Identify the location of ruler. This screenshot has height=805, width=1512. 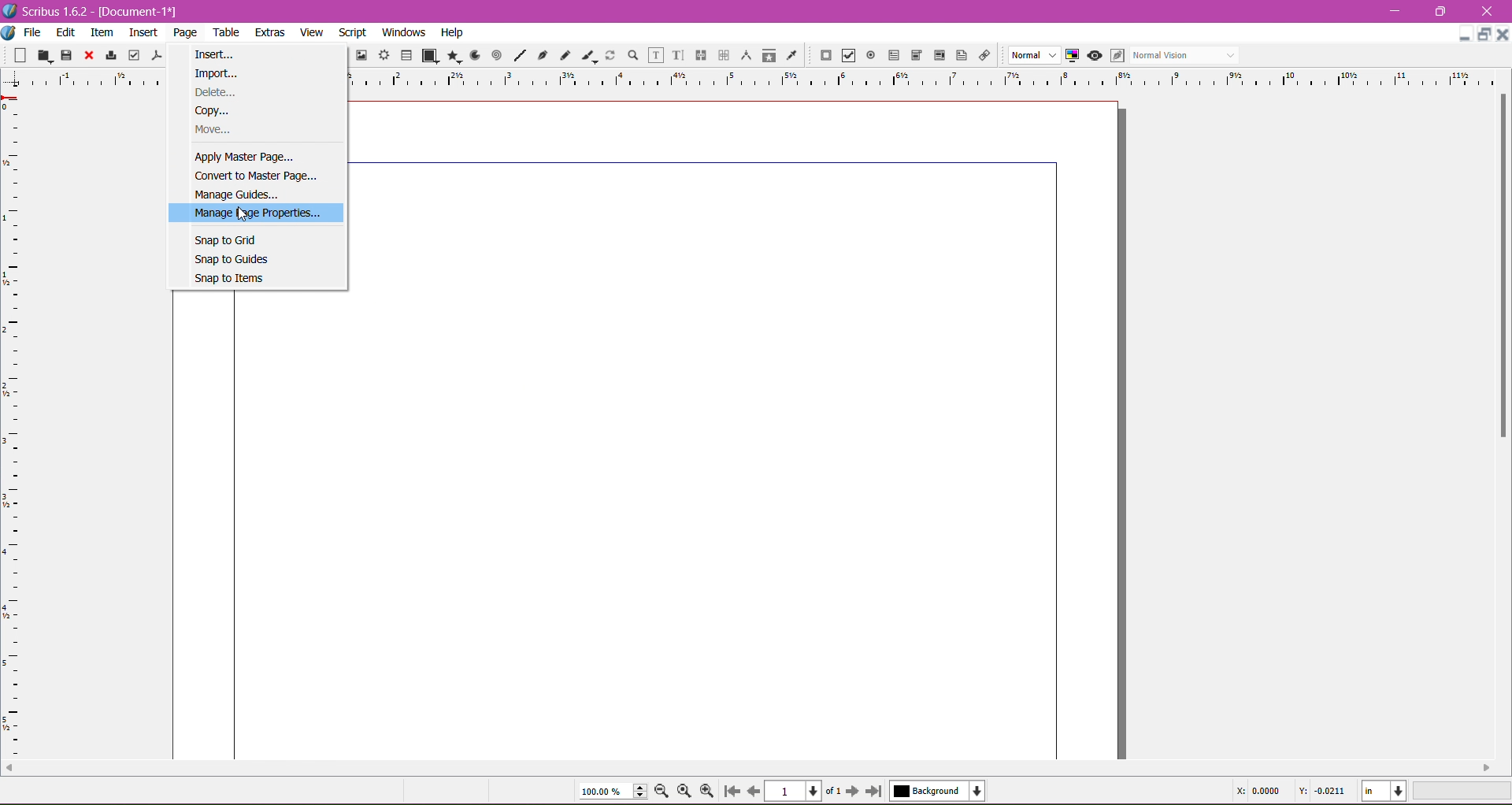
(81, 79).